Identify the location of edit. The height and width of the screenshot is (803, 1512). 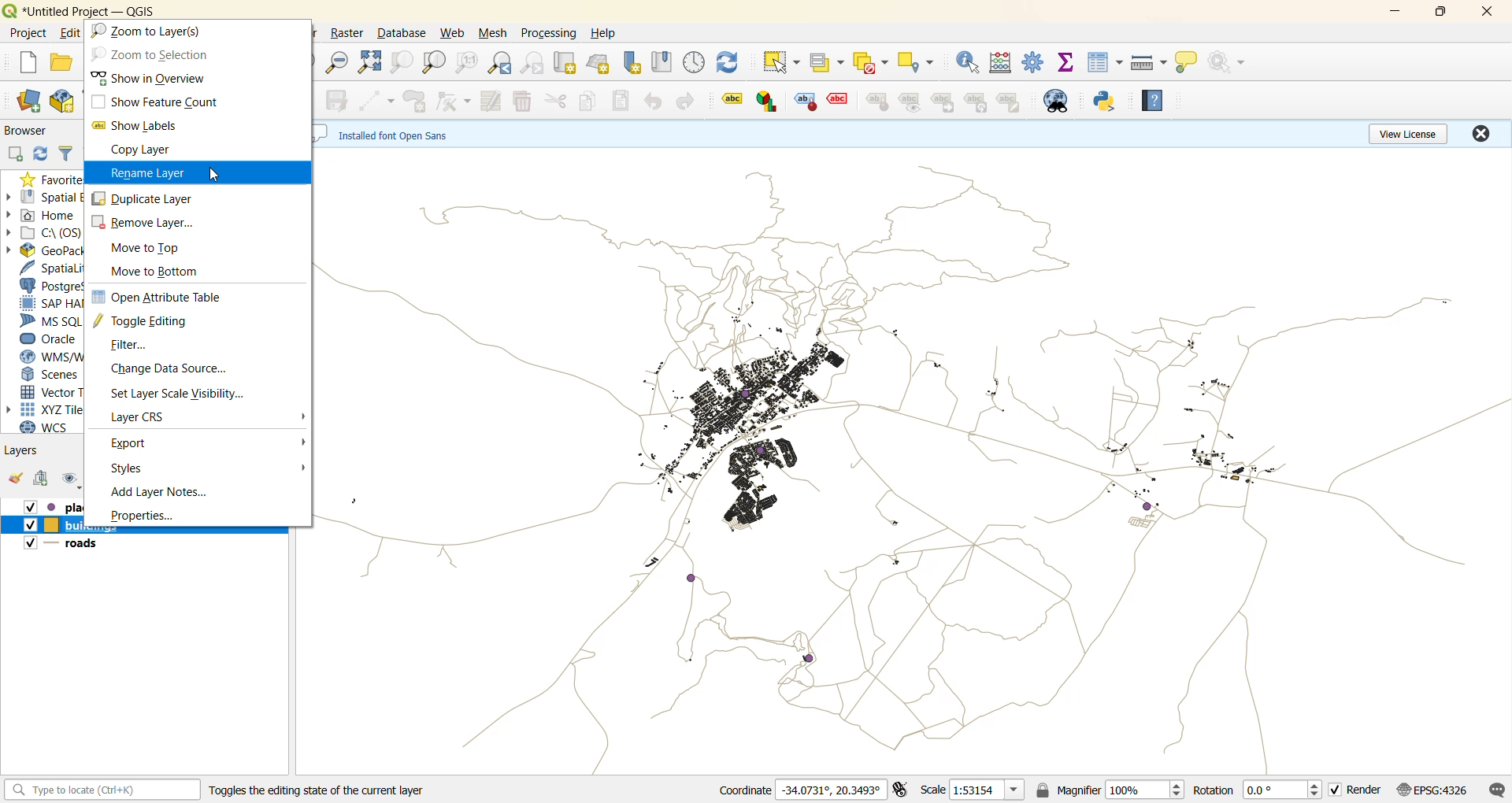
(71, 35).